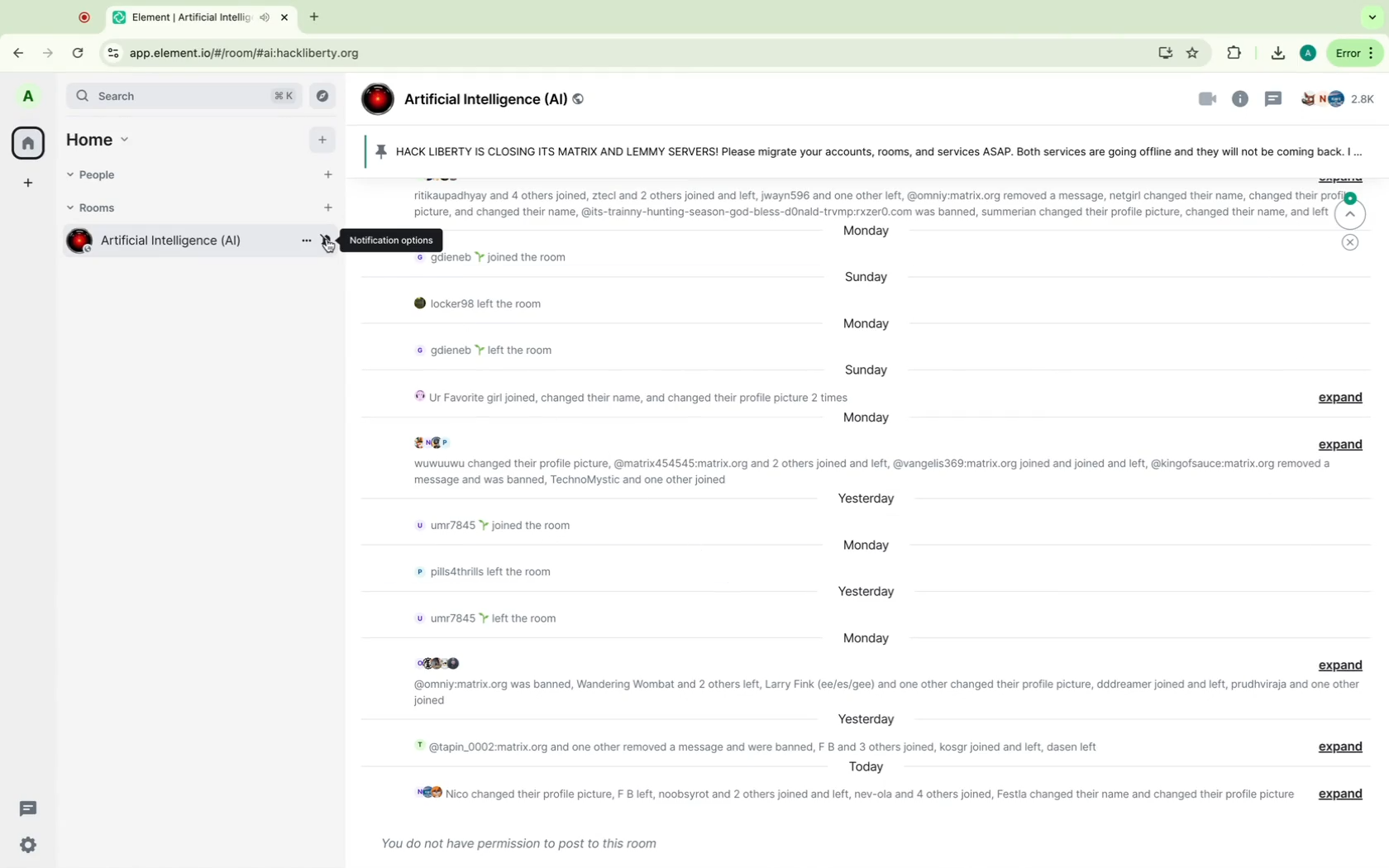  Describe the element at coordinates (1361, 155) in the screenshot. I see `more` at that location.